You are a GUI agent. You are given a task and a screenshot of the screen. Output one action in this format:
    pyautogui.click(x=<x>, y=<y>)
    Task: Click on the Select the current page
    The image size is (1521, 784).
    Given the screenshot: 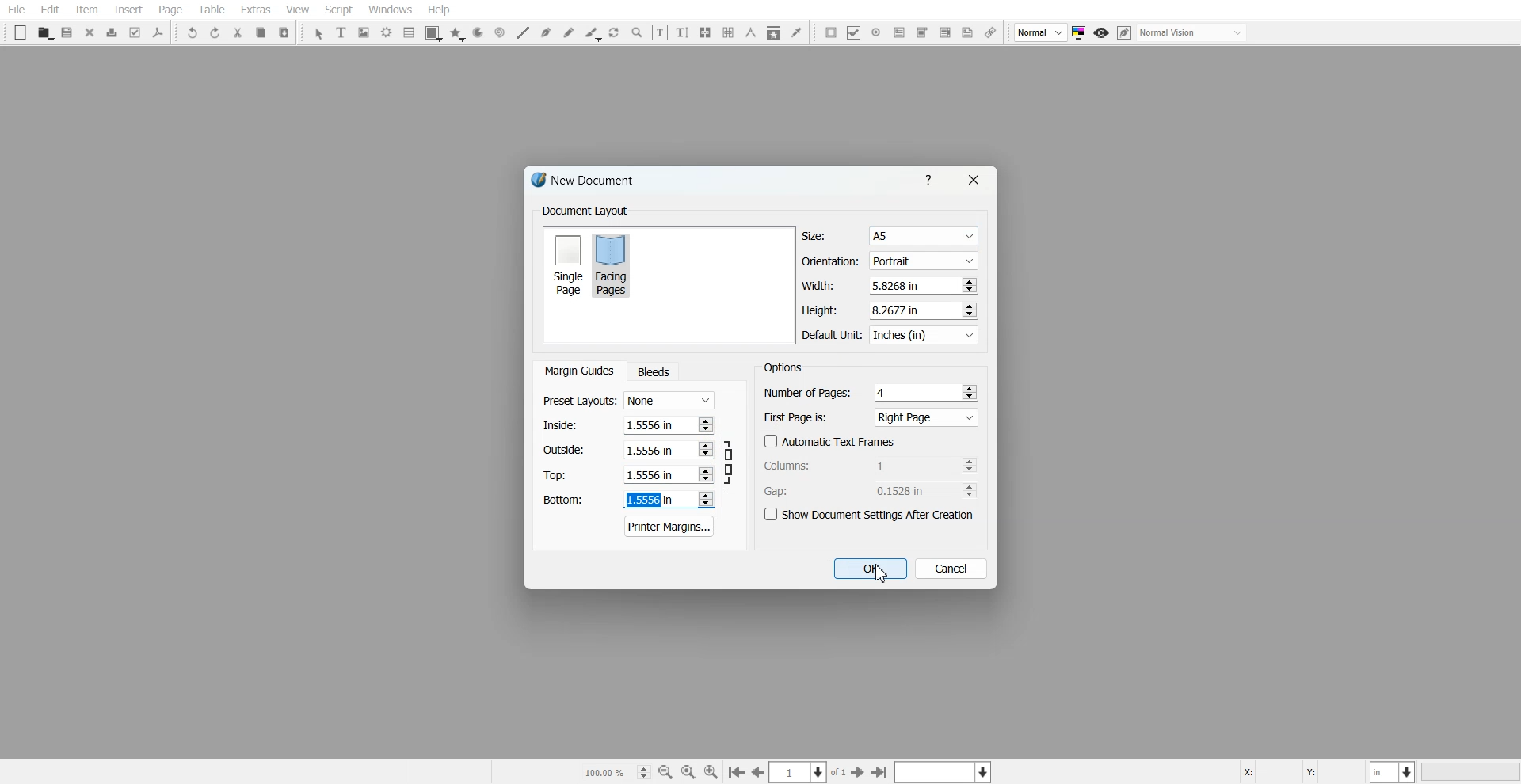 What is the action you would take?
    pyautogui.click(x=809, y=772)
    